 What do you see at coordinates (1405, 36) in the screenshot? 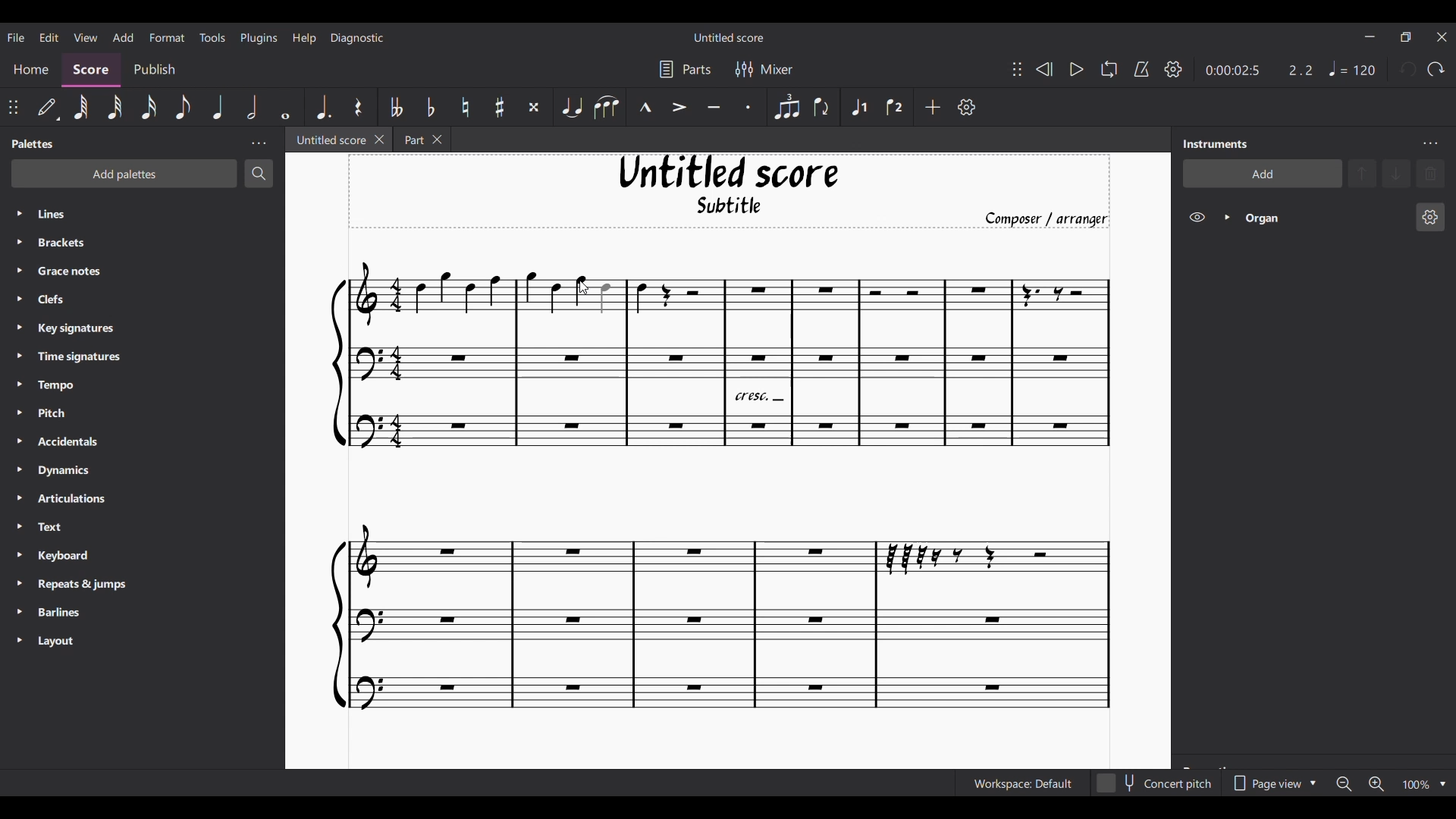
I see `Show interface in a smaller tab` at bounding box center [1405, 36].